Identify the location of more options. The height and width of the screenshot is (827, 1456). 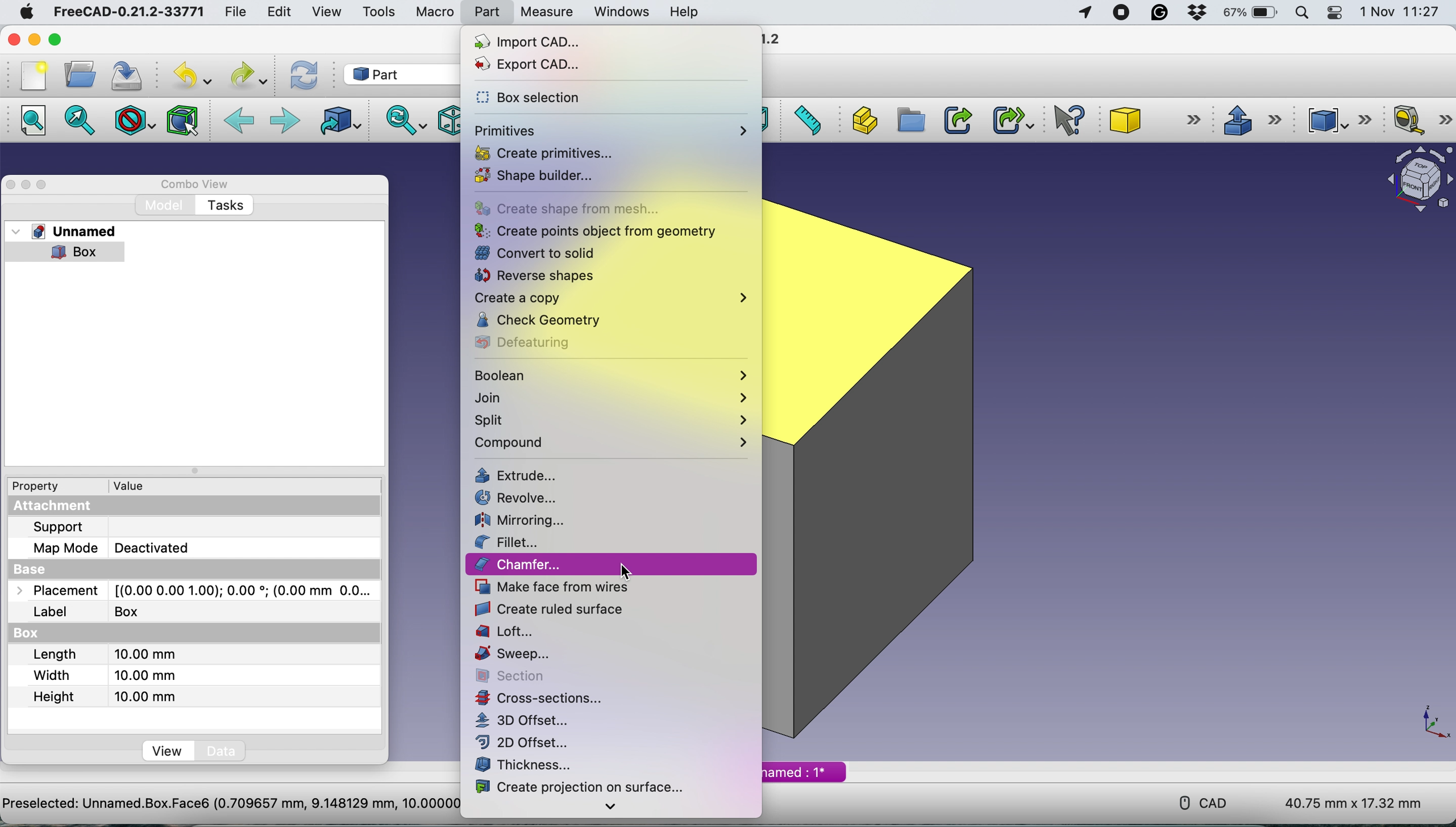
(614, 807).